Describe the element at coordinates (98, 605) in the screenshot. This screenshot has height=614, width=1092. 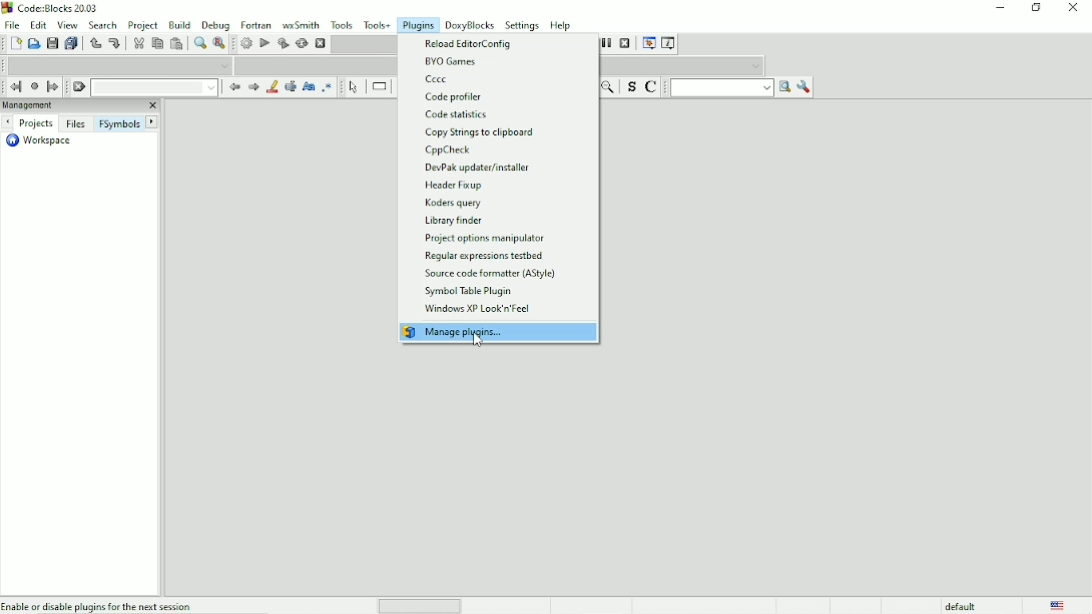
I see `Enable or disable plugins for the next session` at that location.